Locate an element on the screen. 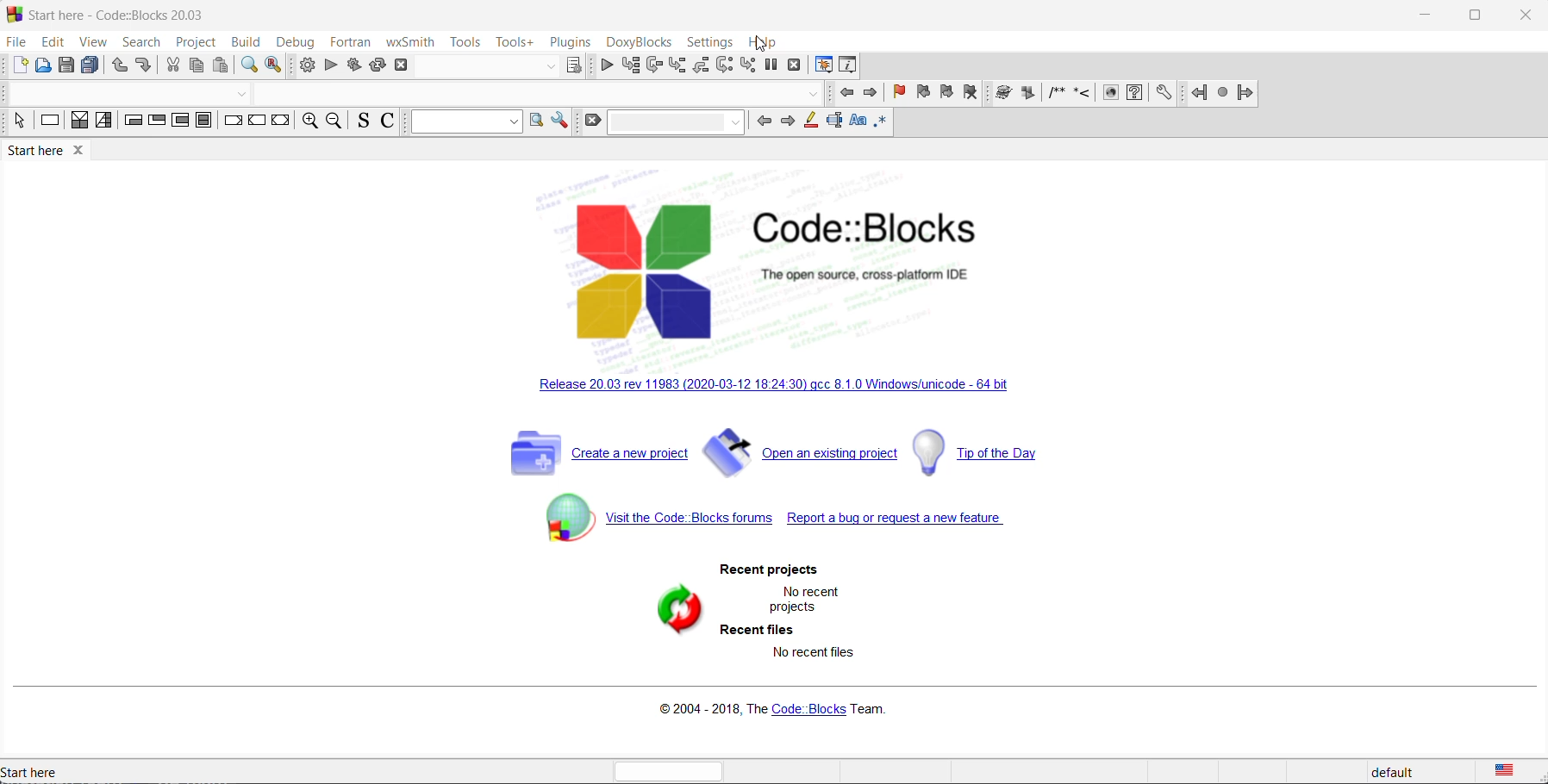 This screenshot has height=784, width=1548. jump forward is located at coordinates (1245, 94).